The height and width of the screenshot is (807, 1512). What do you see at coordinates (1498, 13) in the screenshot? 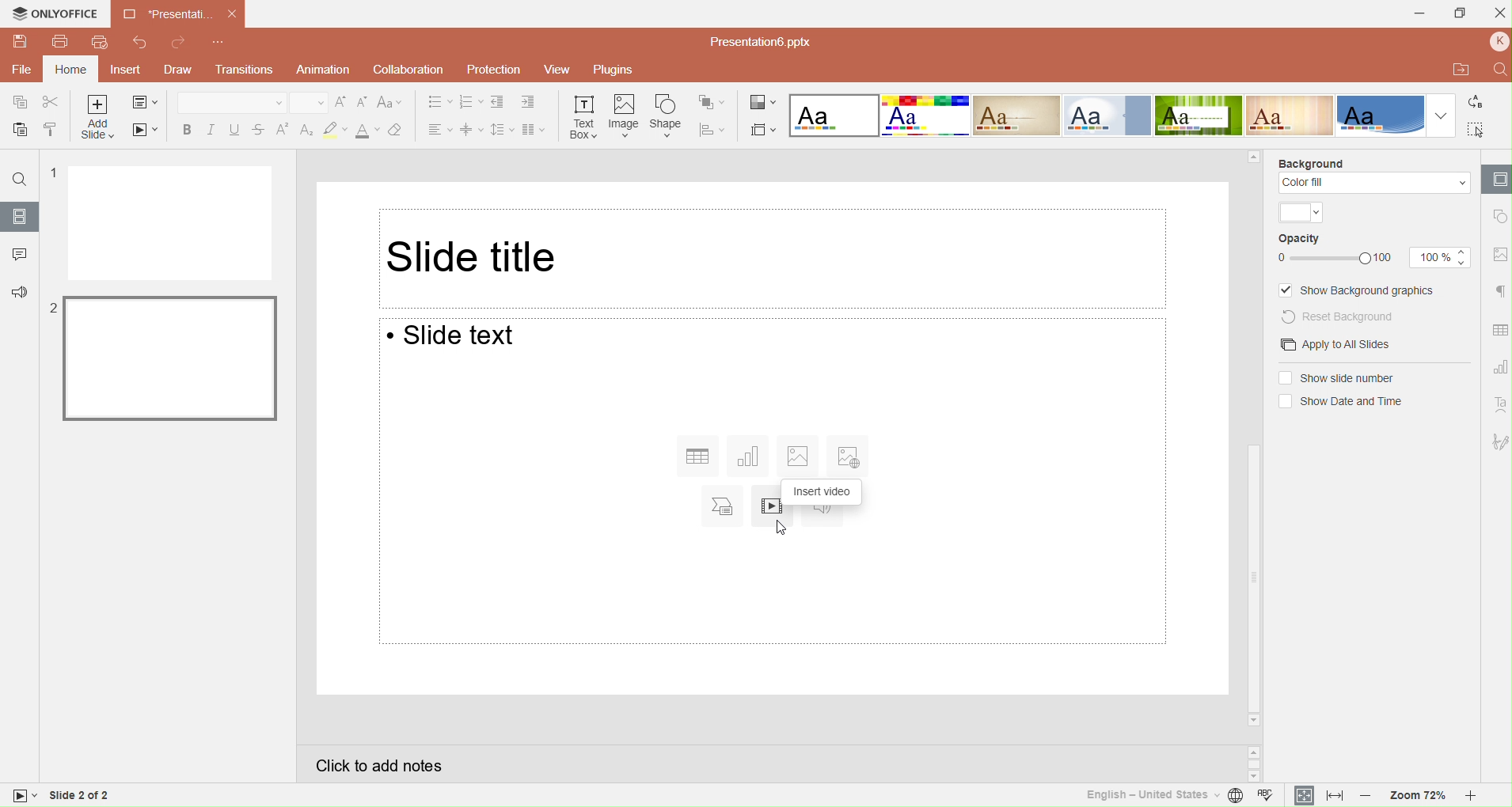
I see `Close` at bounding box center [1498, 13].